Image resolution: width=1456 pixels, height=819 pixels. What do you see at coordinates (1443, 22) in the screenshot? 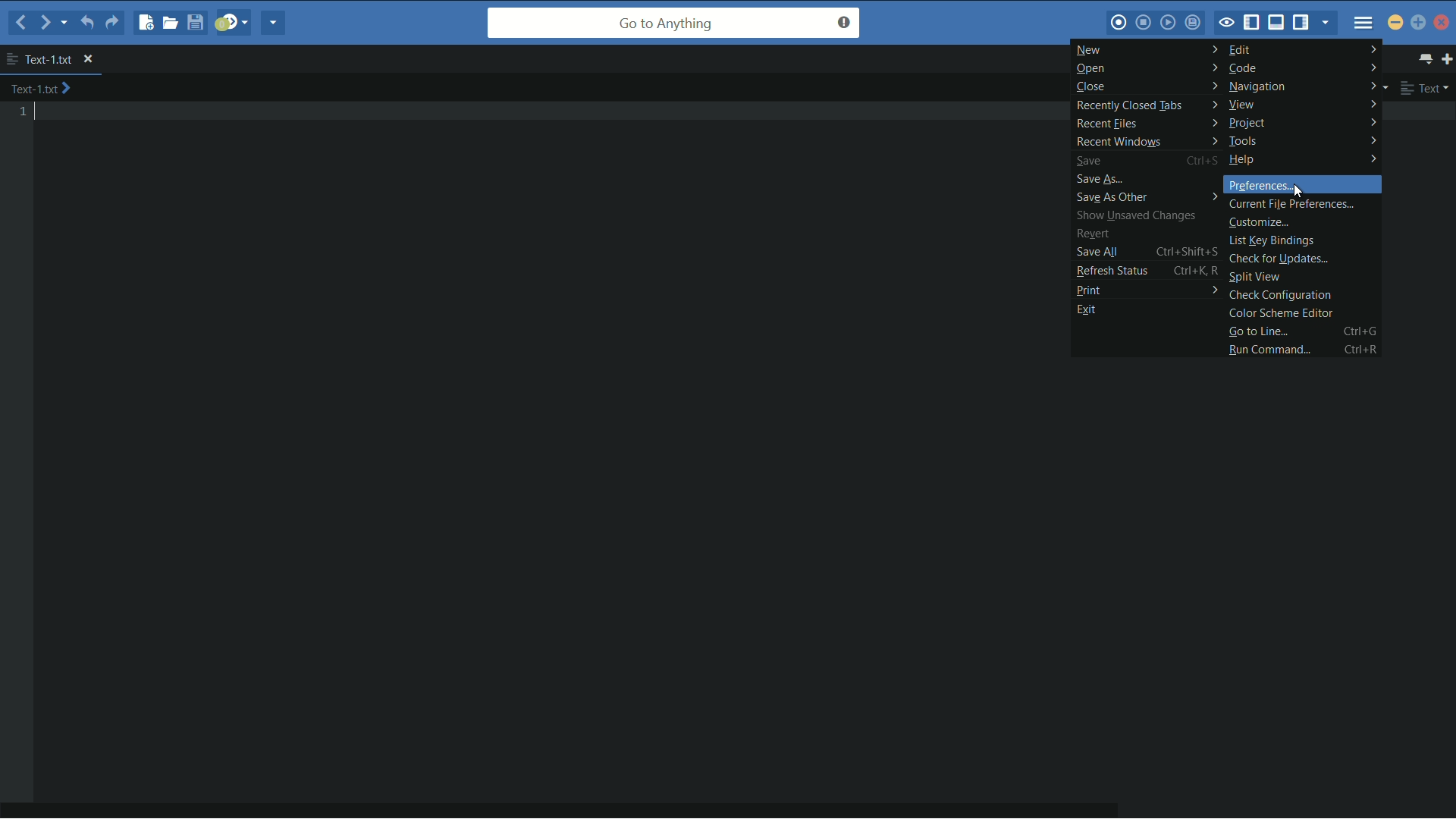
I see `close app` at bounding box center [1443, 22].